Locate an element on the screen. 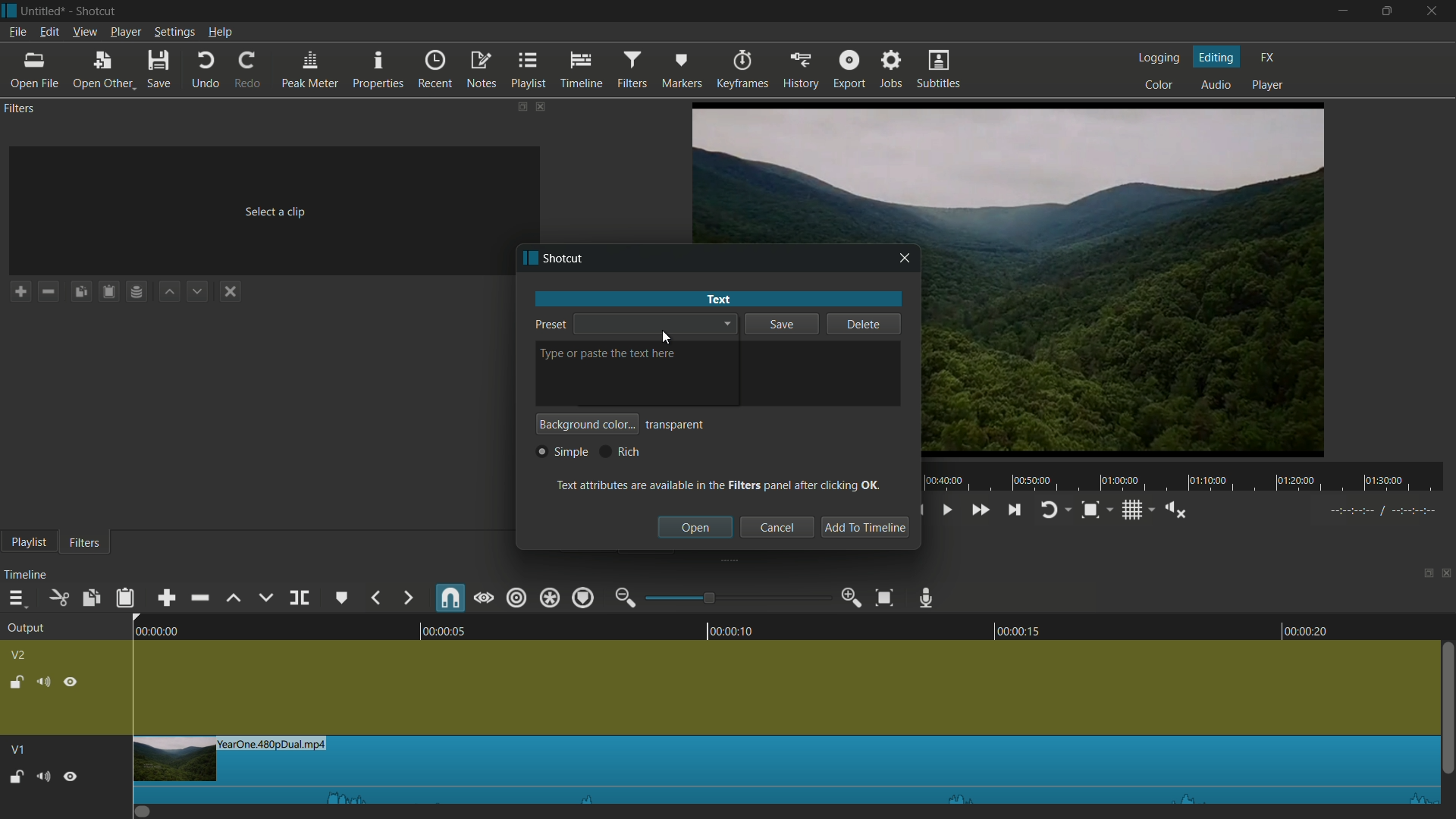 The height and width of the screenshot is (819, 1456). Pause is located at coordinates (71, 775).